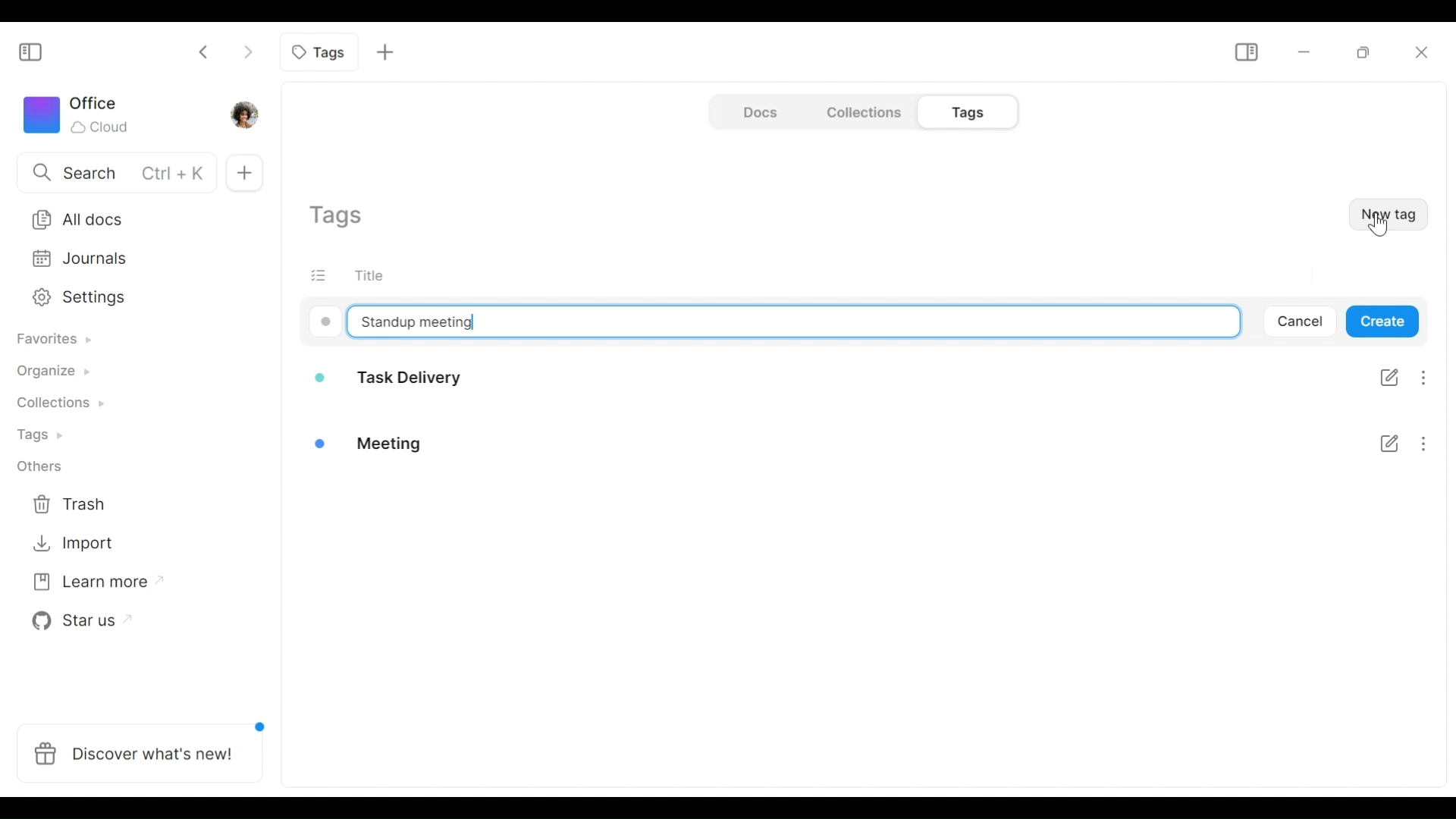 This screenshot has width=1456, height=819. I want to click on Star us, so click(80, 622).